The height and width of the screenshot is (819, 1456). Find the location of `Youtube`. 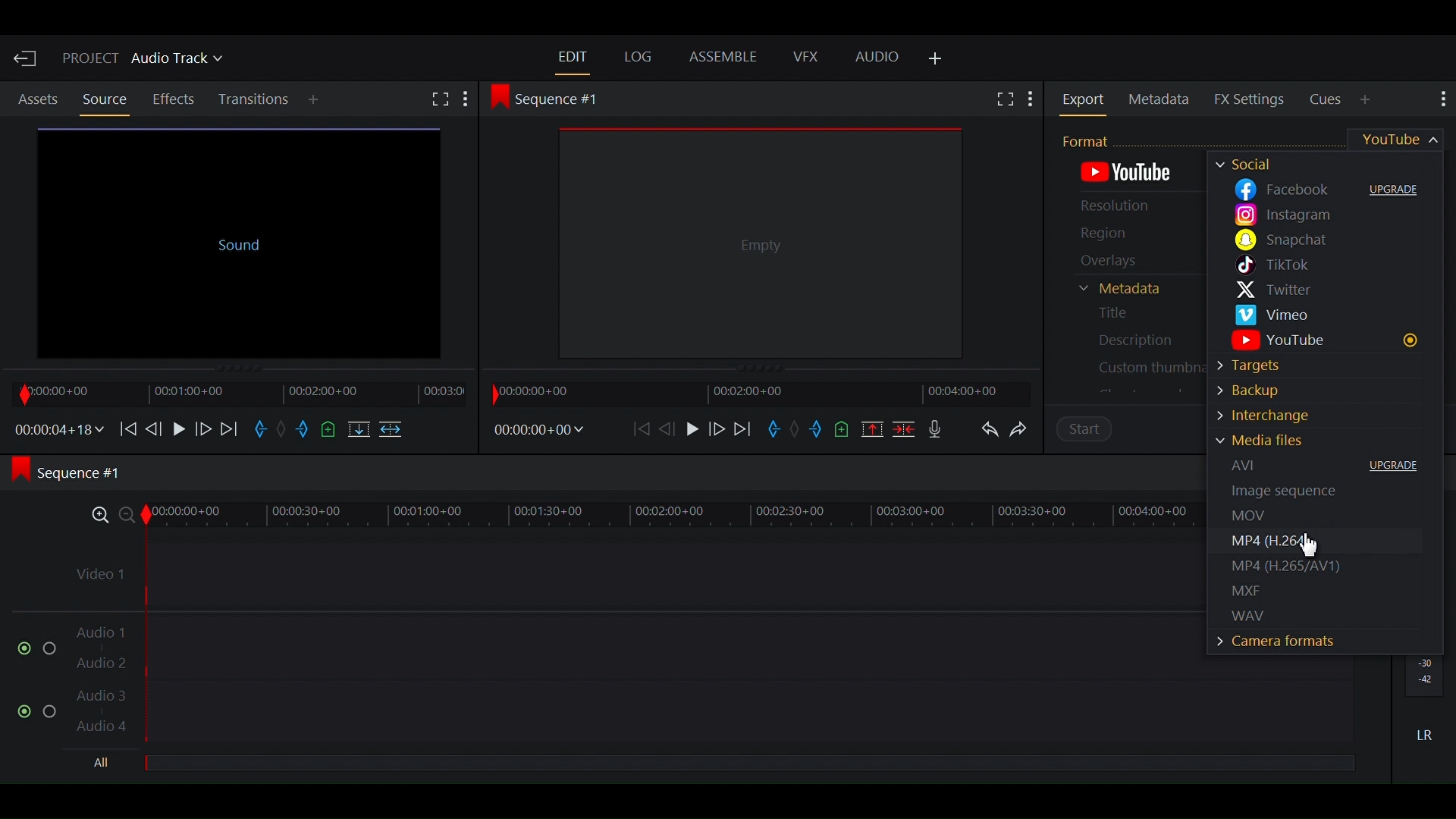

Youtube is located at coordinates (1389, 137).